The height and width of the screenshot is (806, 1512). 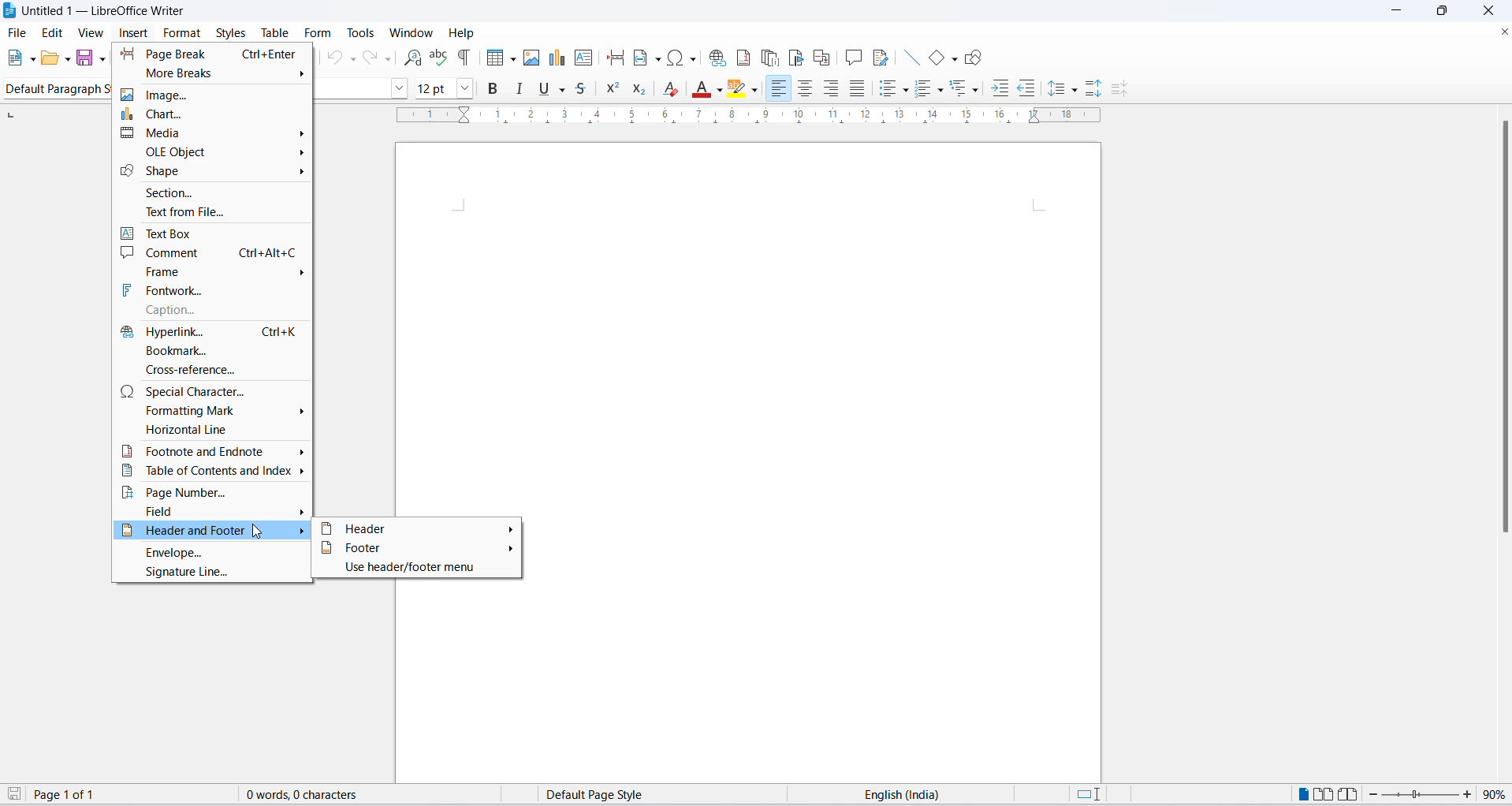 I want to click on bold, so click(x=496, y=91).